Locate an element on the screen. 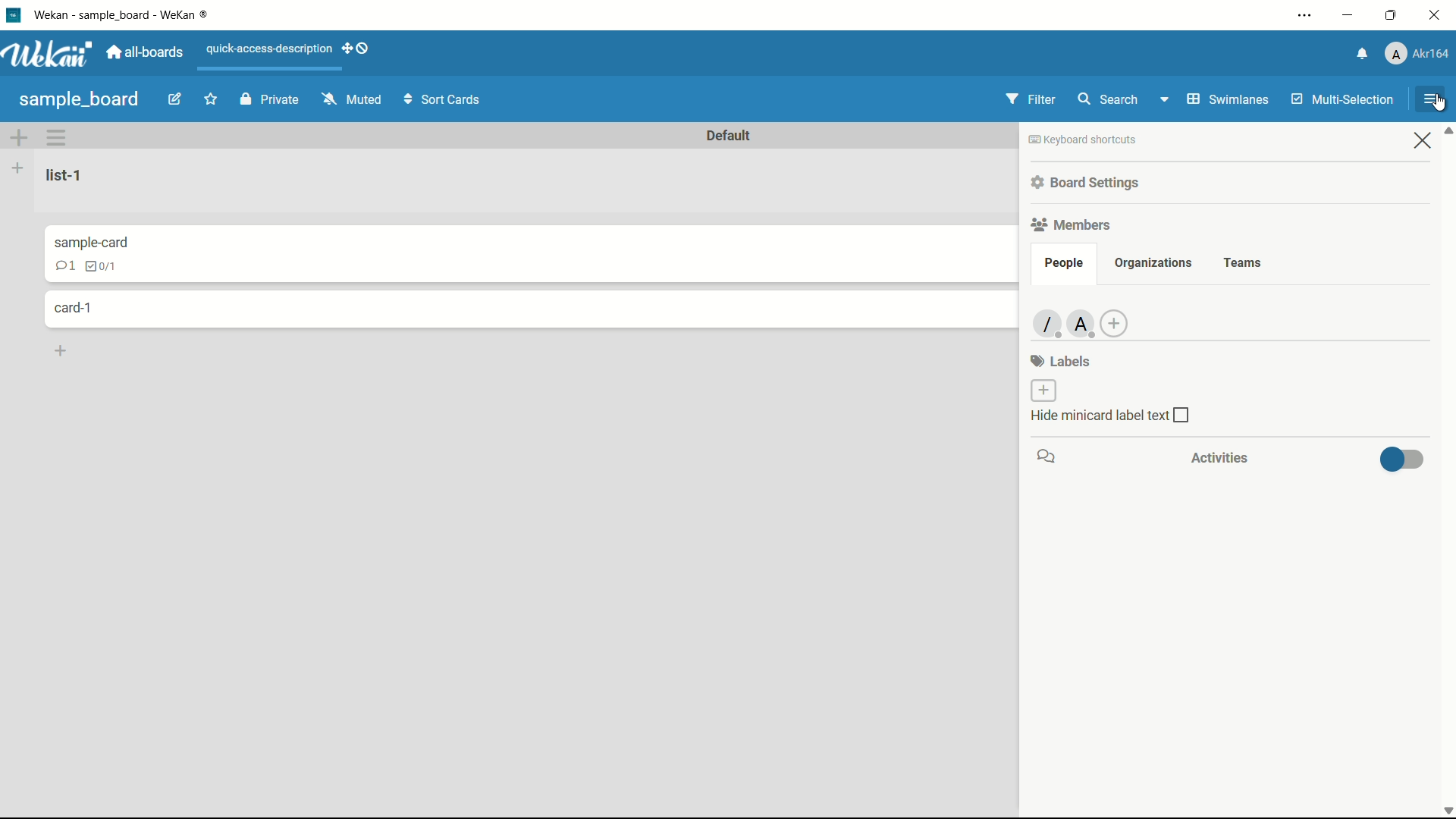  board settings is located at coordinates (1088, 182).